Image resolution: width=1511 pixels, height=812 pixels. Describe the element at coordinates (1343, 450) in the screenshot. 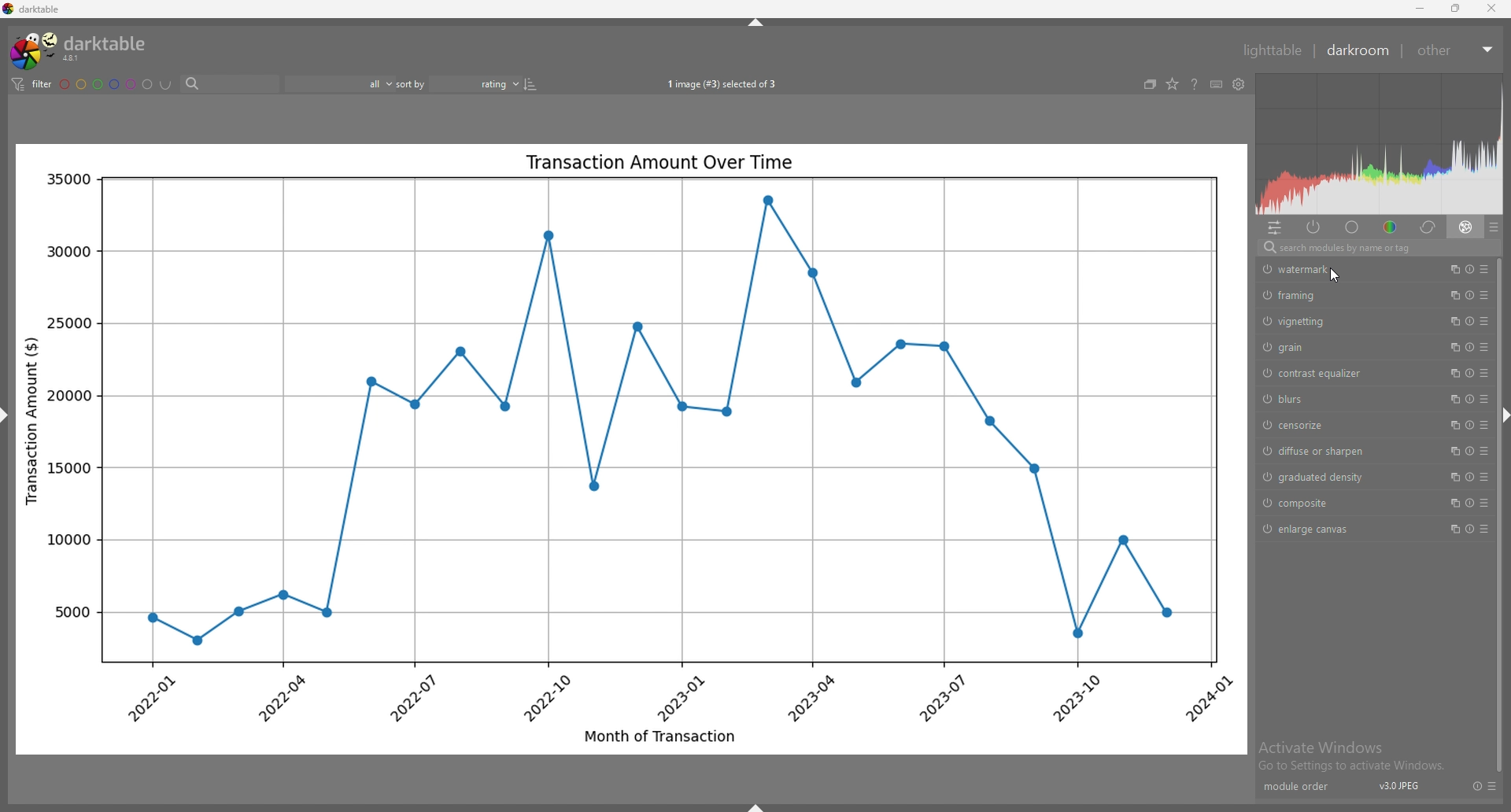

I see `diffuse or sharpen` at that location.